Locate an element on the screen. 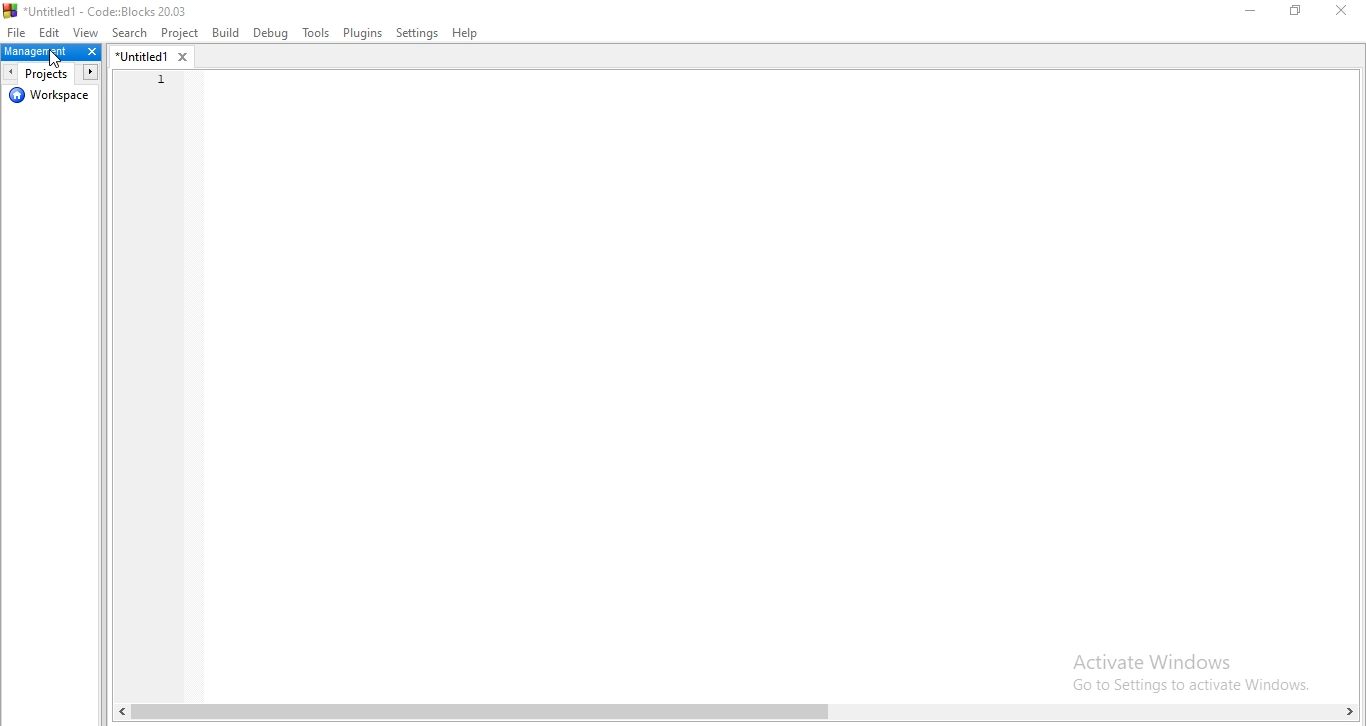 The image size is (1366, 726). 1 is located at coordinates (161, 78).